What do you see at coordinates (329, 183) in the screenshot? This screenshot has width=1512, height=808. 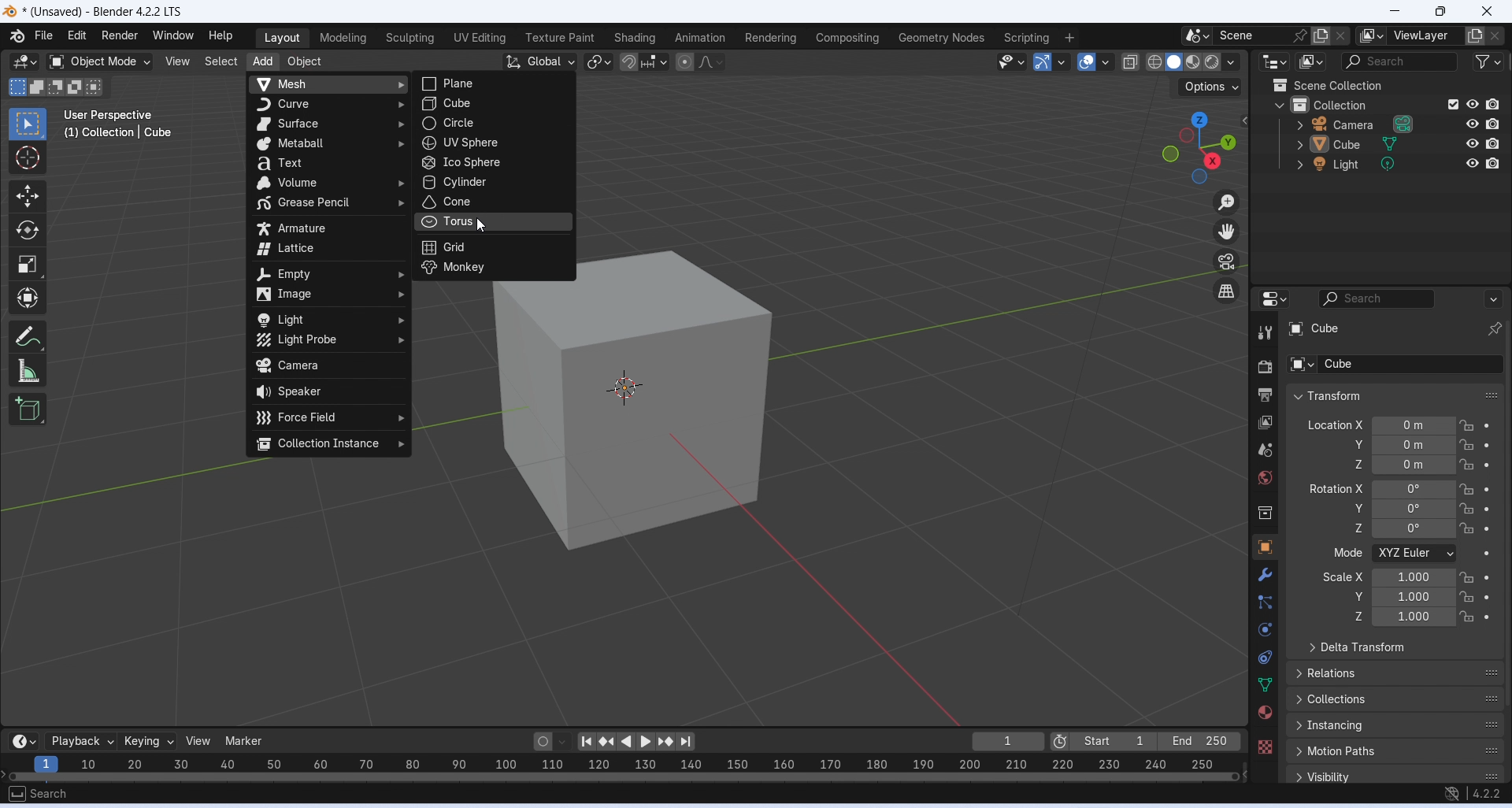 I see `volume` at bounding box center [329, 183].